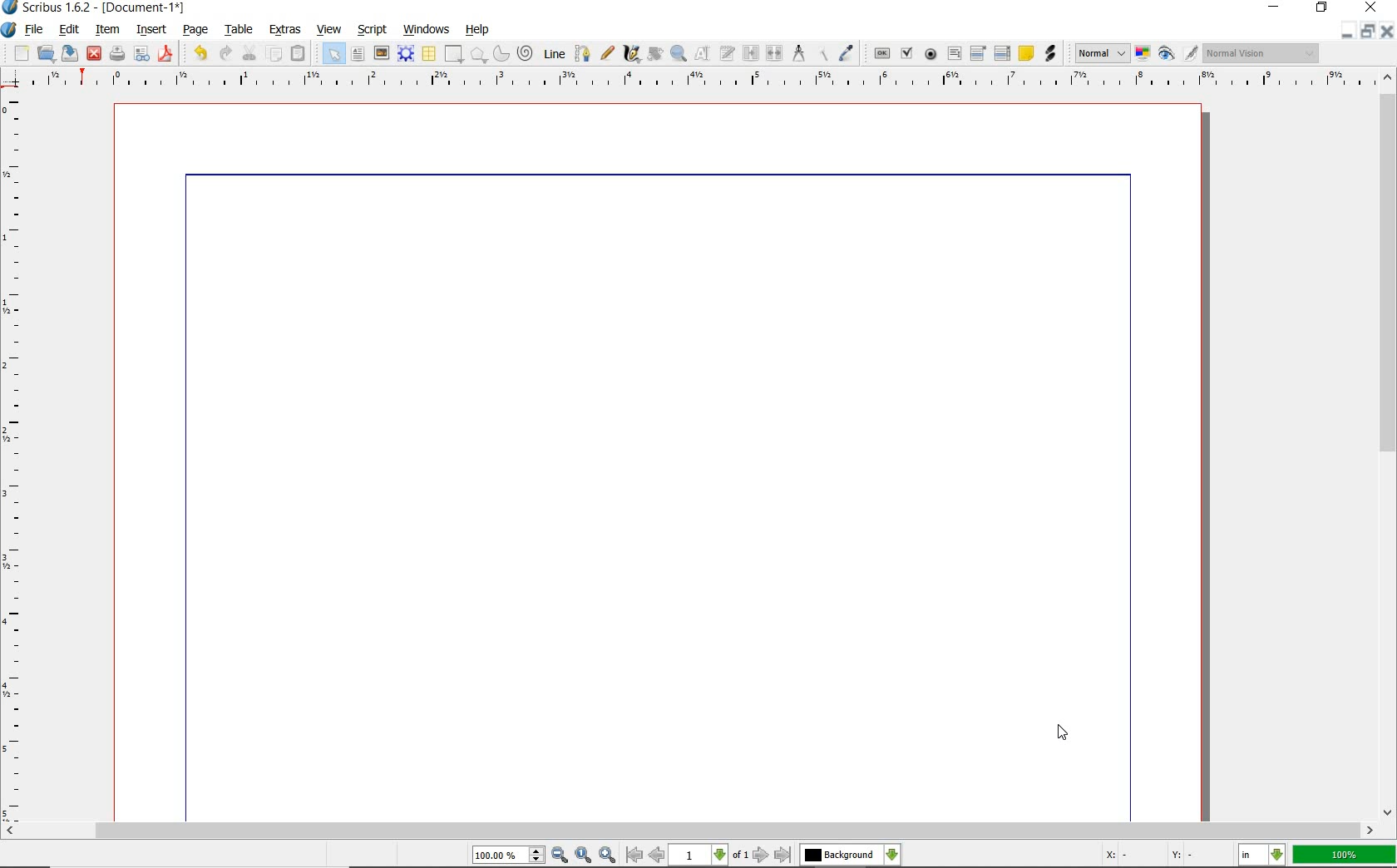 The image size is (1397, 868). I want to click on close, so click(95, 55).